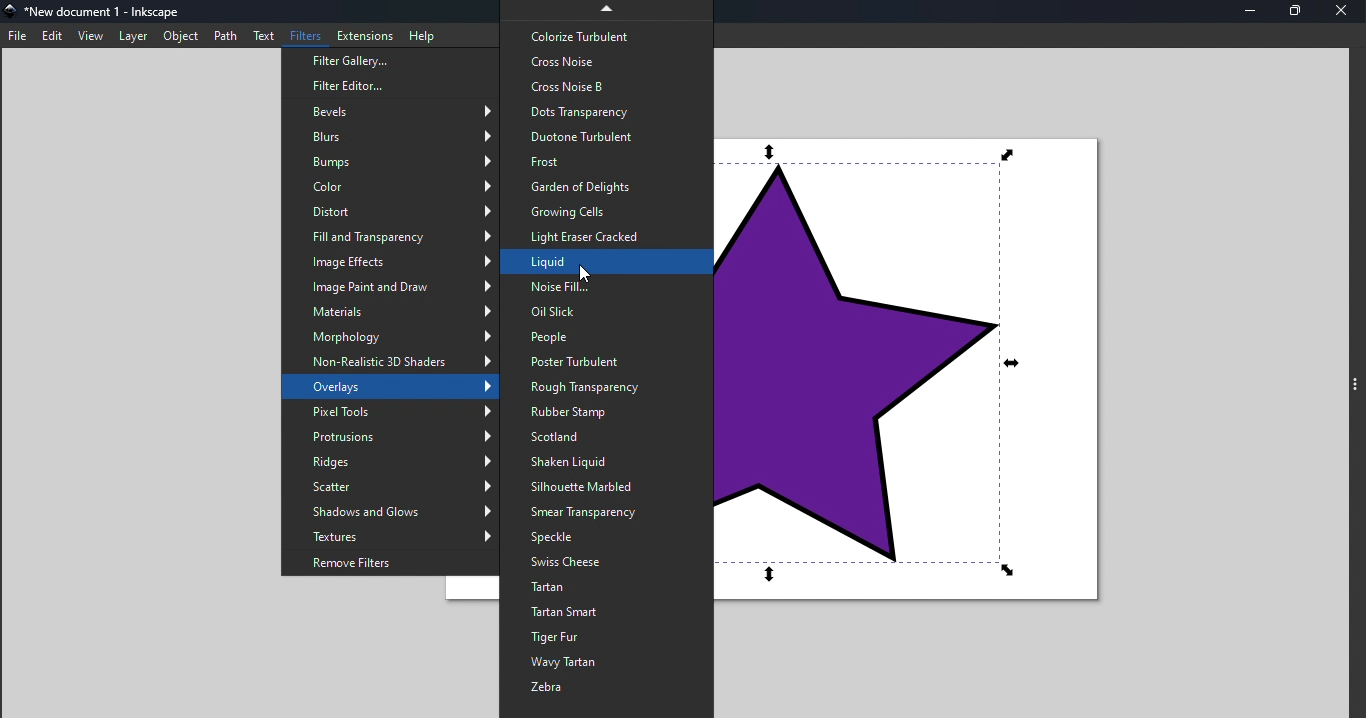 The height and width of the screenshot is (718, 1366). What do you see at coordinates (1300, 14) in the screenshot?
I see `Maximize` at bounding box center [1300, 14].